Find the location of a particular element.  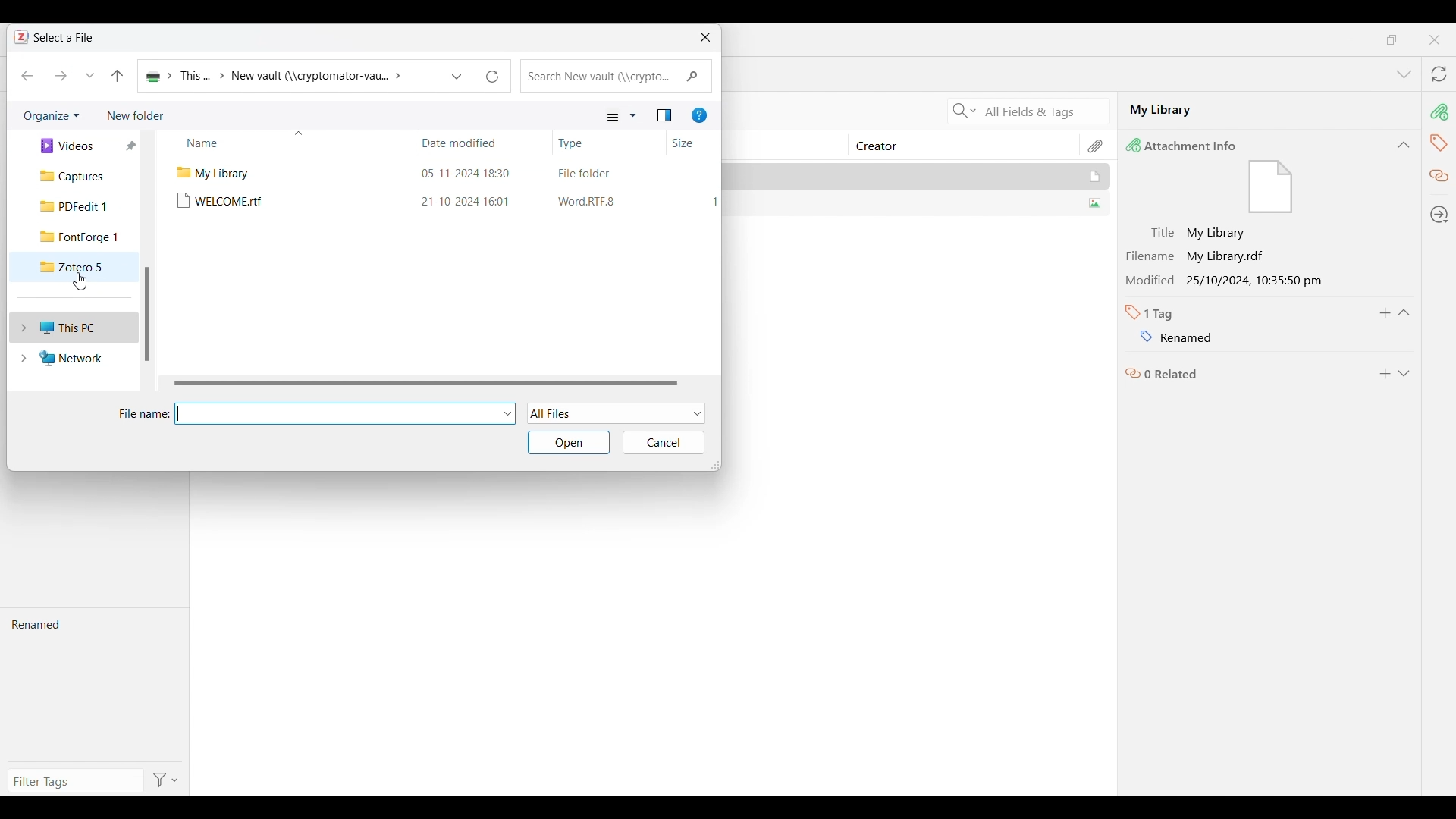

Name of tag is located at coordinates (1167, 335).